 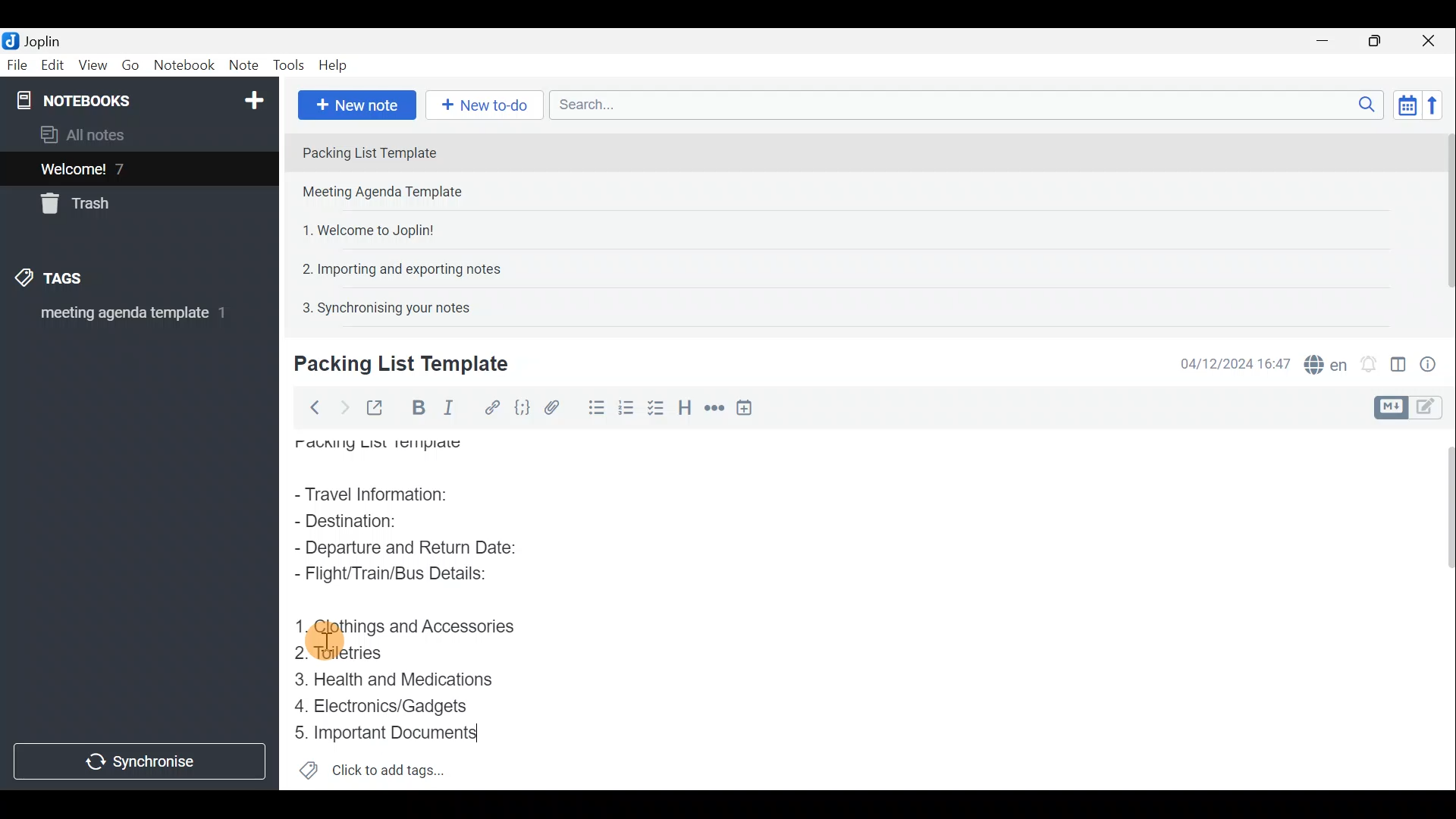 What do you see at coordinates (397, 193) in the screenshot?
I see `Note 2` at bounding box center [397, 193].